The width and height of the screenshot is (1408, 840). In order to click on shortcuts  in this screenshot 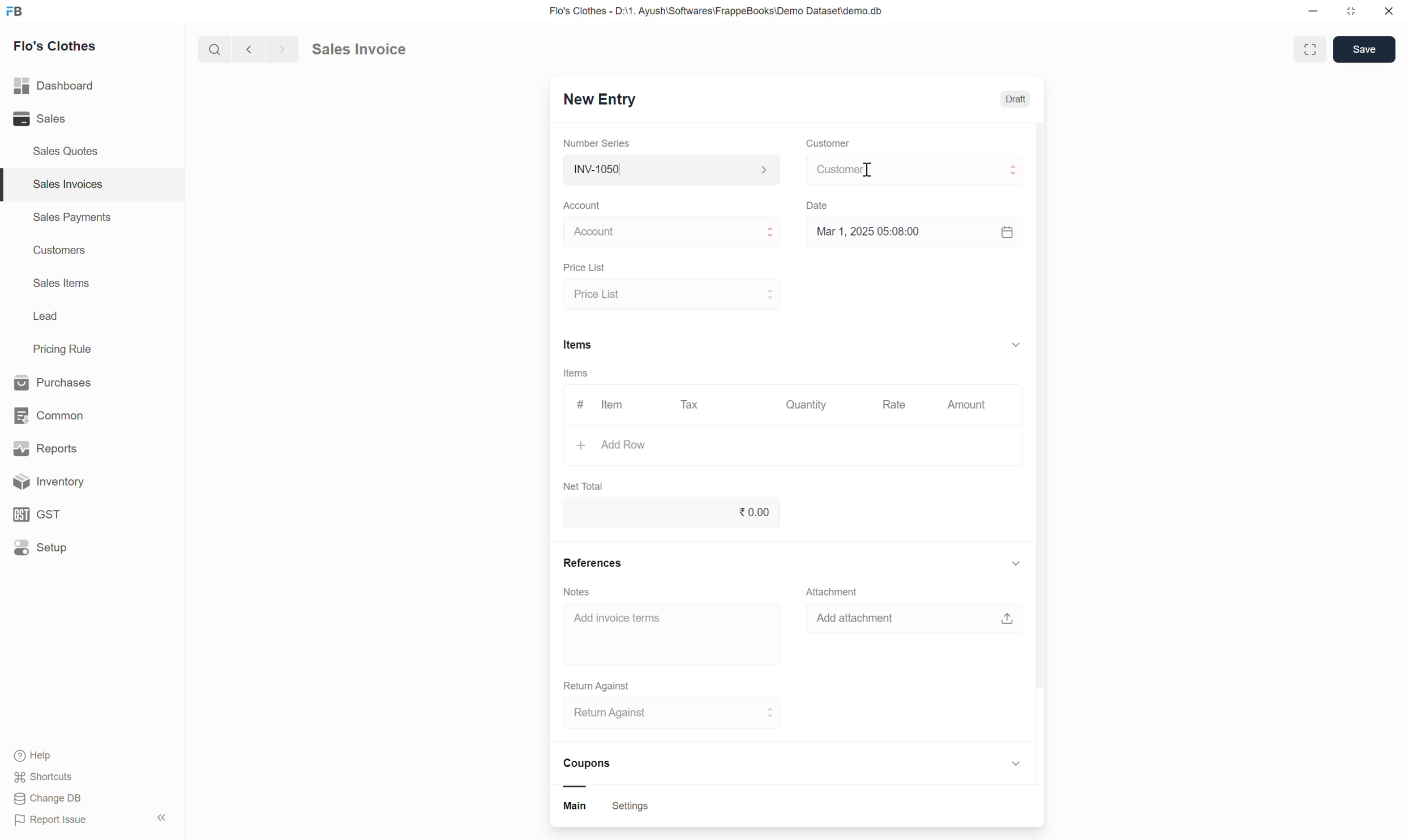, I will do `click(54, 777)`.